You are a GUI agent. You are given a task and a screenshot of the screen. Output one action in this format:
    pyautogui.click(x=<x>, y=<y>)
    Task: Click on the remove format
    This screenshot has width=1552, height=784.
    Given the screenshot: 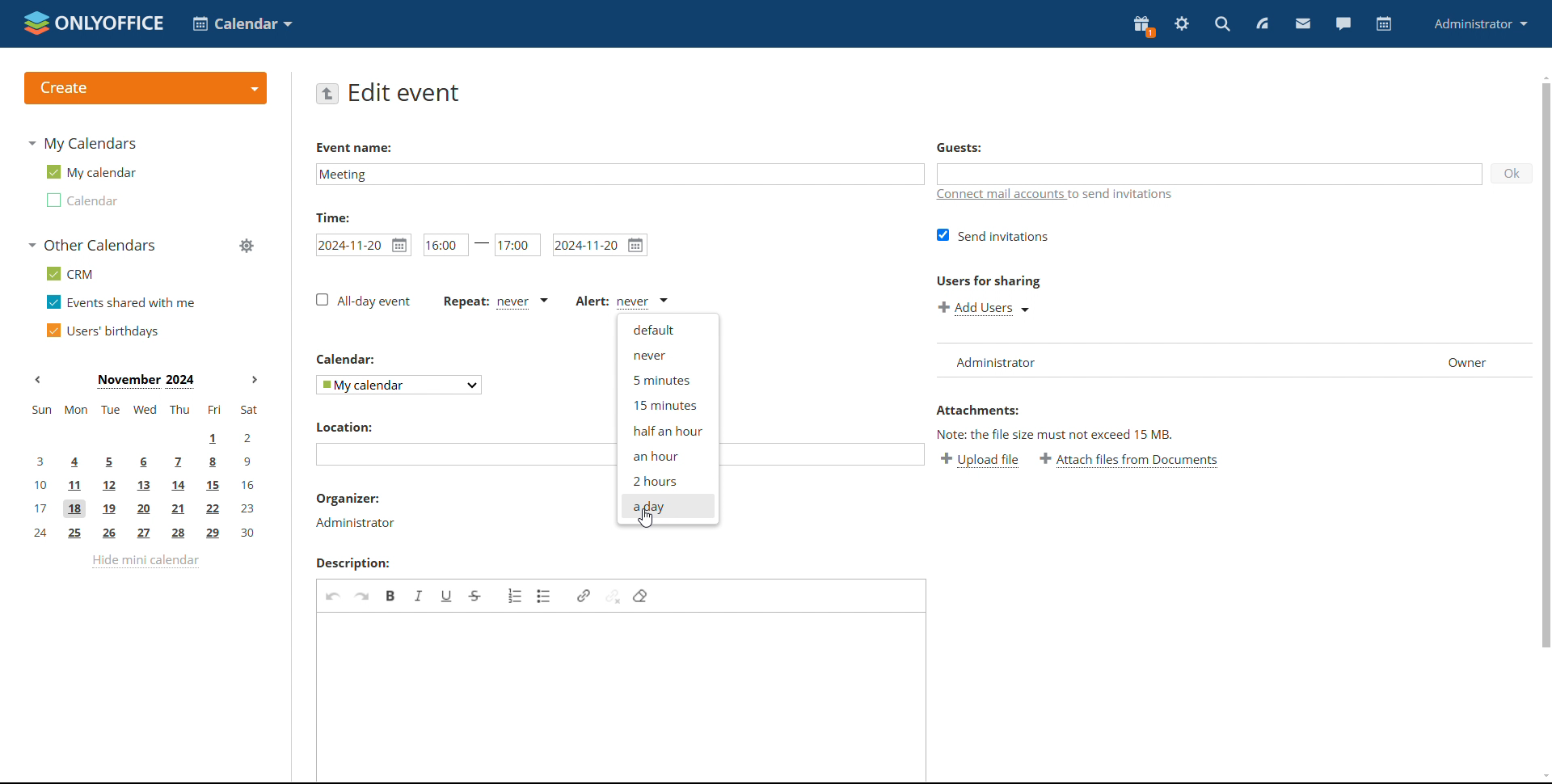 What is the action you would take?
    pyautogui.click(x=640, y=596)
    